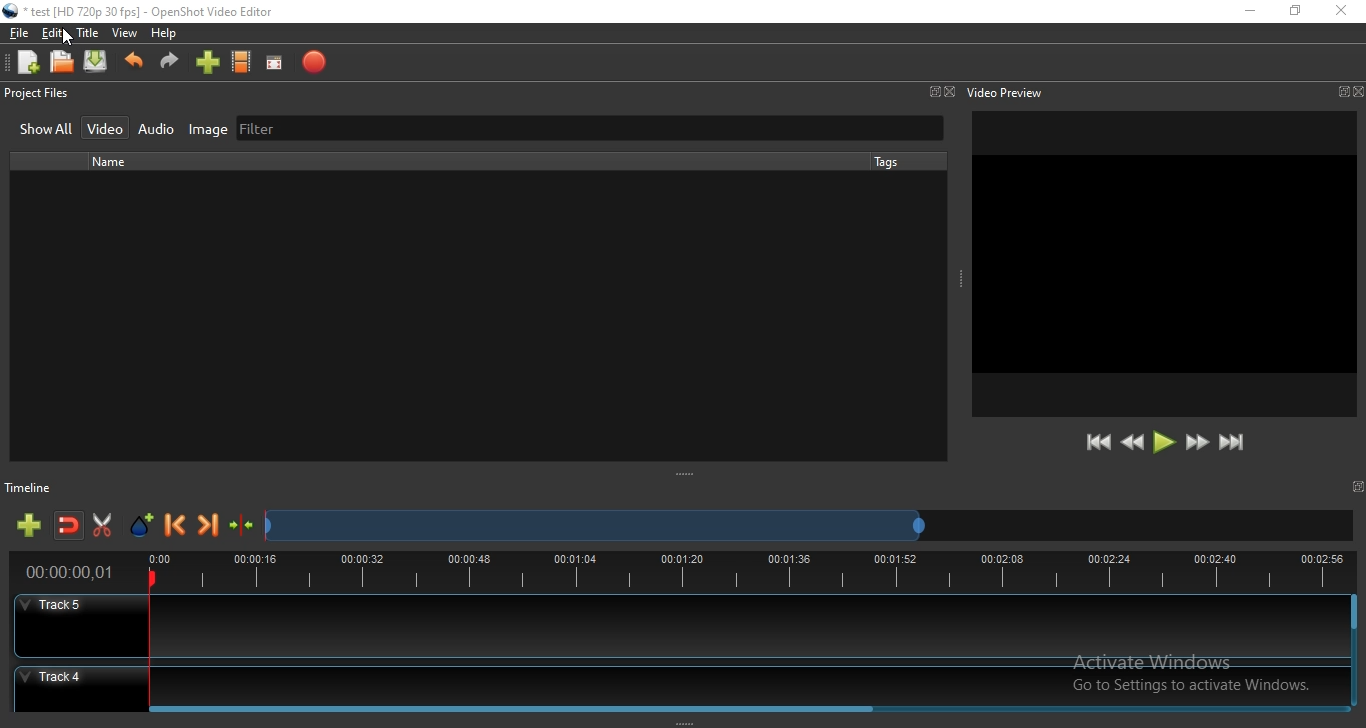 This screenshot has height=728, width=1366. I want to click on Timeline scrub, so click(593, 527).